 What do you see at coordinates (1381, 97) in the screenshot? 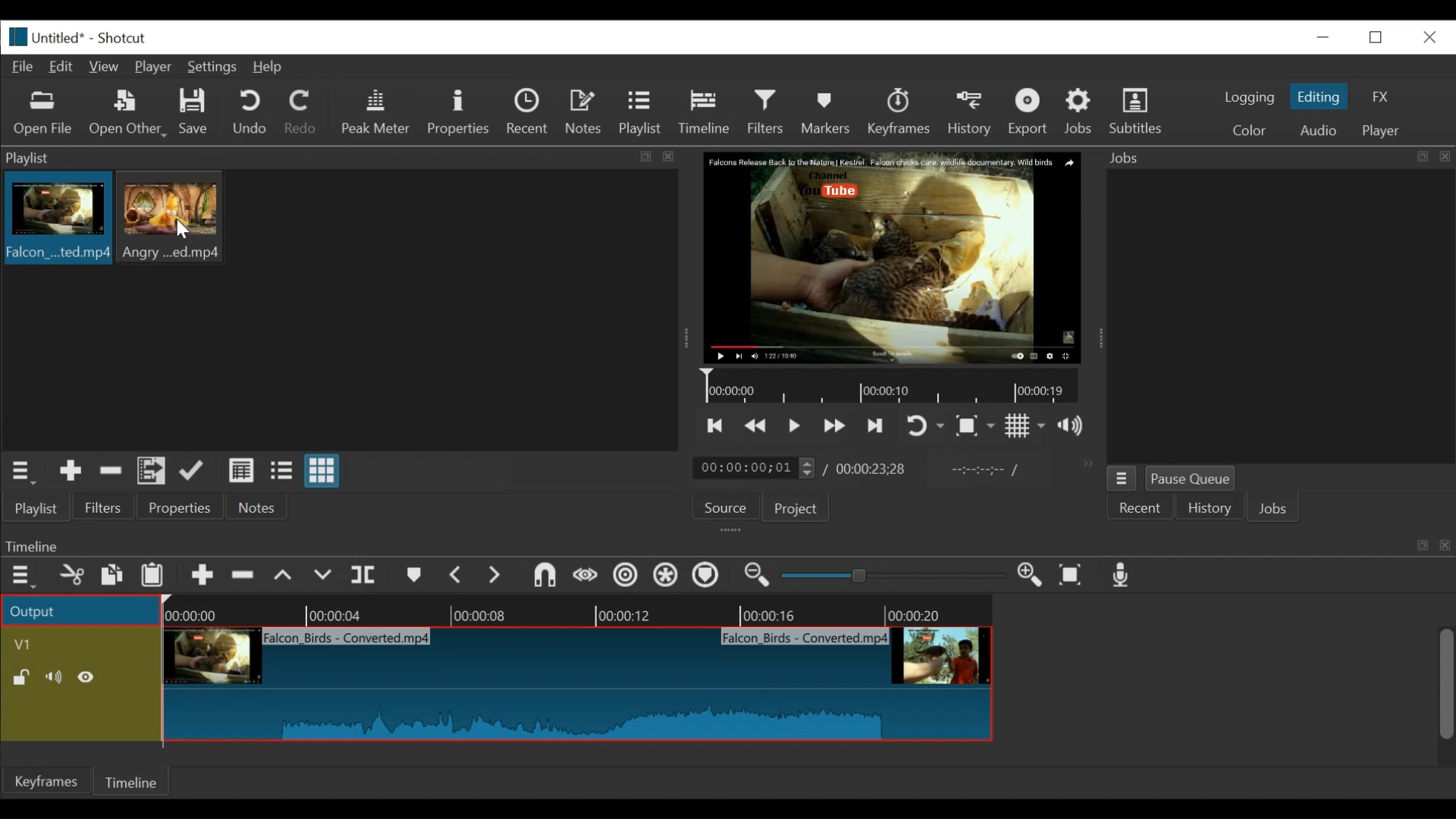
I see `FX` at bounding box center [1381, 97].